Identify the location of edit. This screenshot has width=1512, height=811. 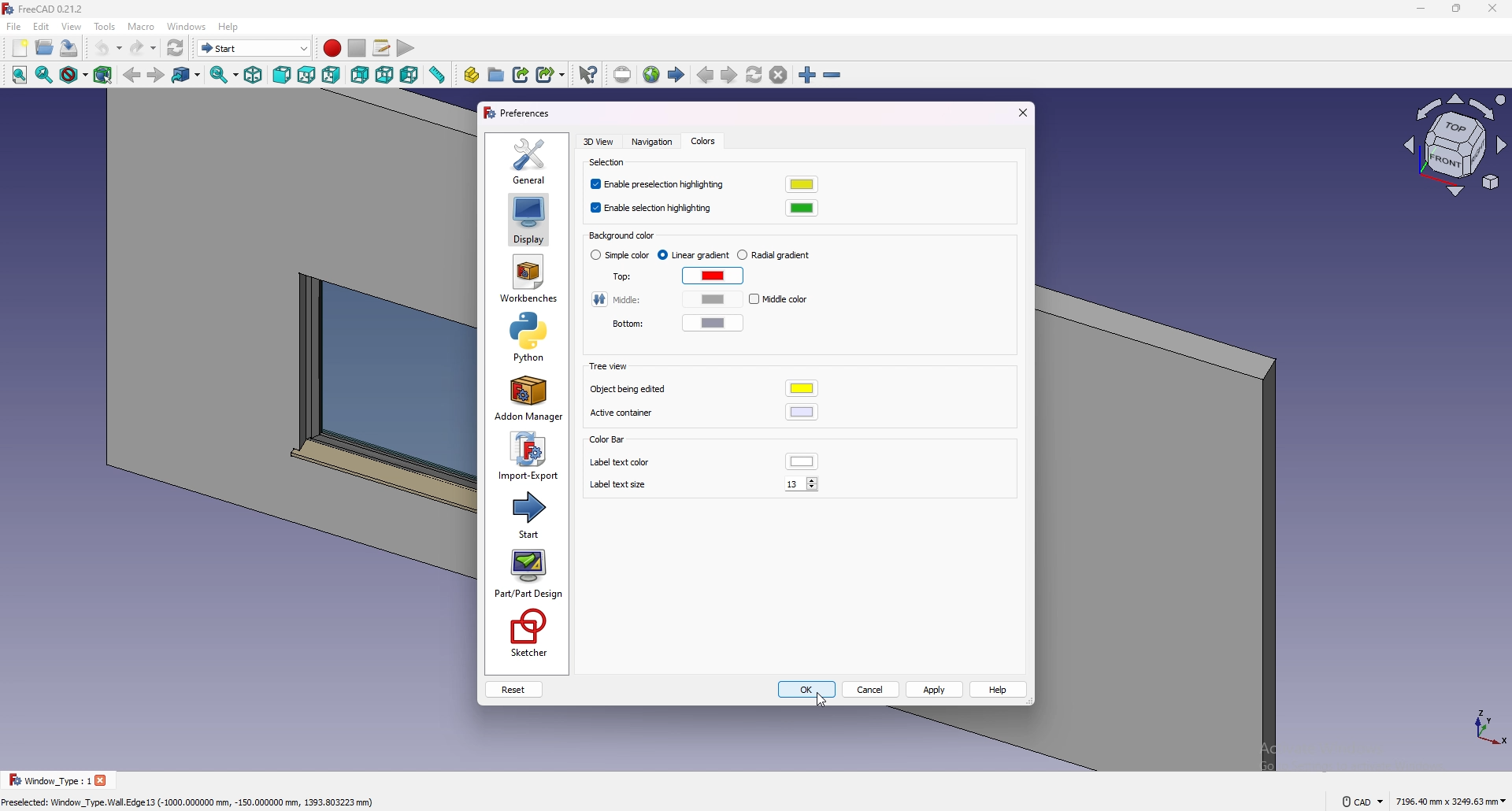
(42, 25).